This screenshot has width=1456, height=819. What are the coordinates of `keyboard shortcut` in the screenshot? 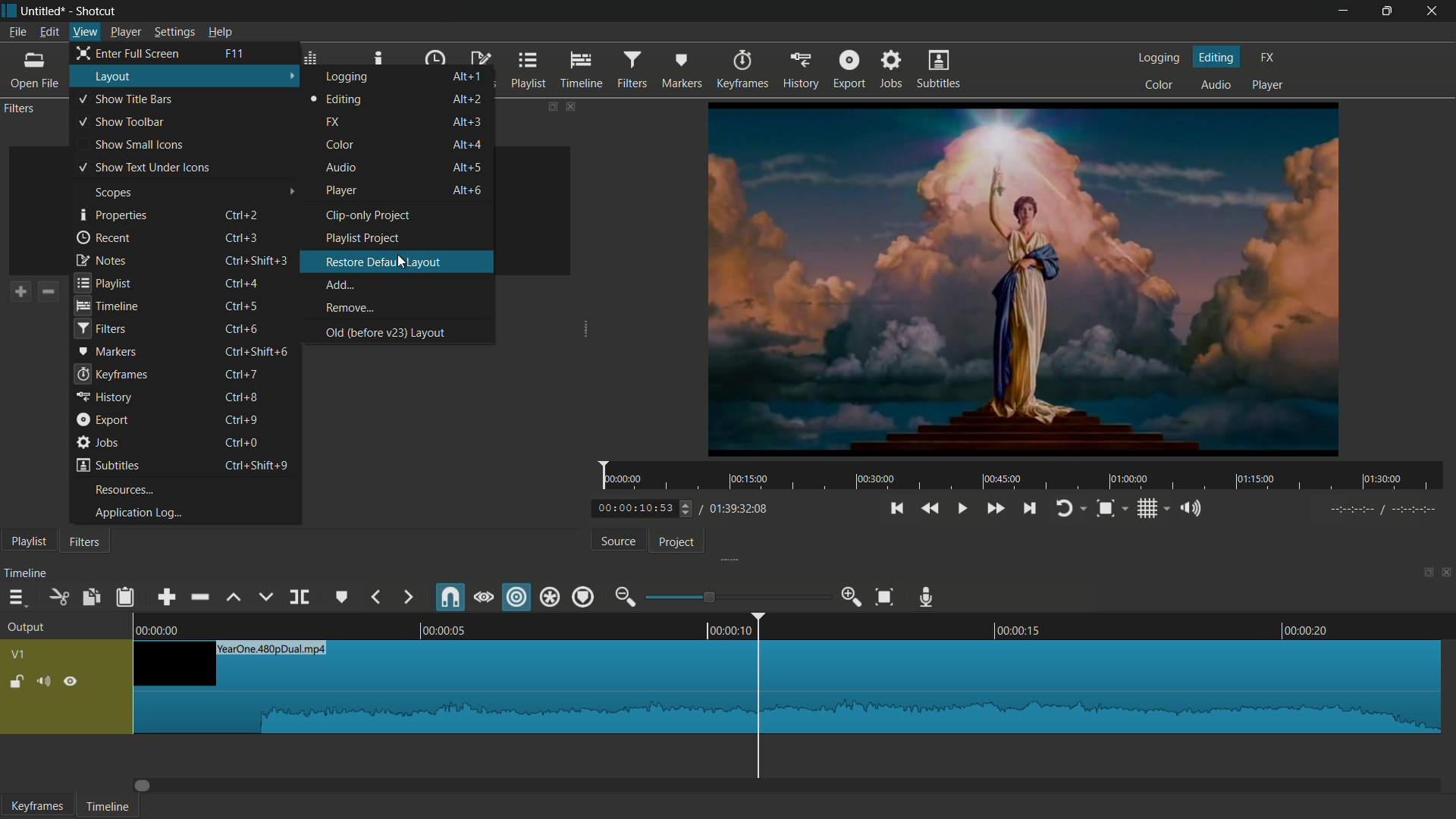 It's located at (240, 421).